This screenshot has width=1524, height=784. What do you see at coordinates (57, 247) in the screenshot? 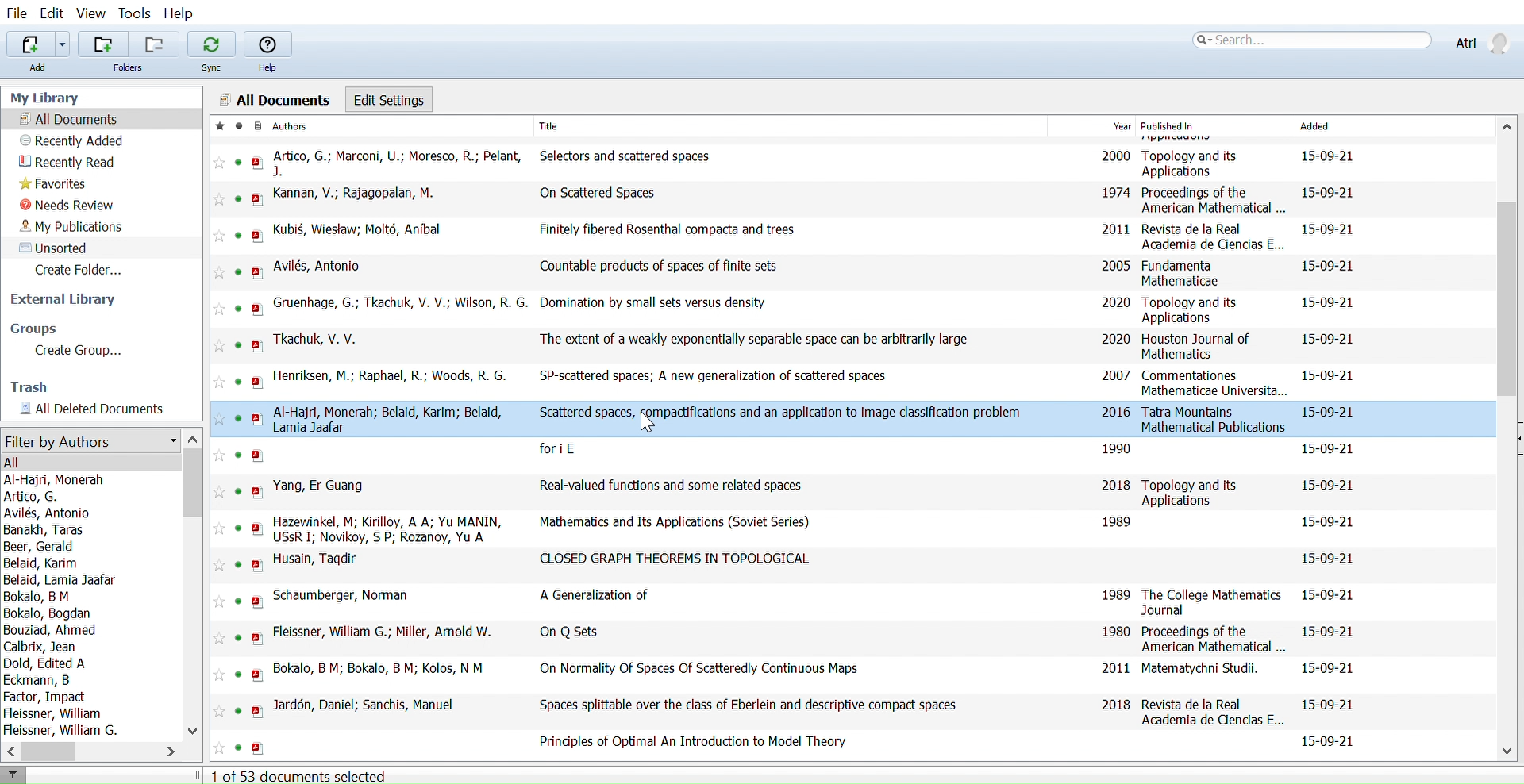
I see `Unsorted` at bounding box center [57, 247].